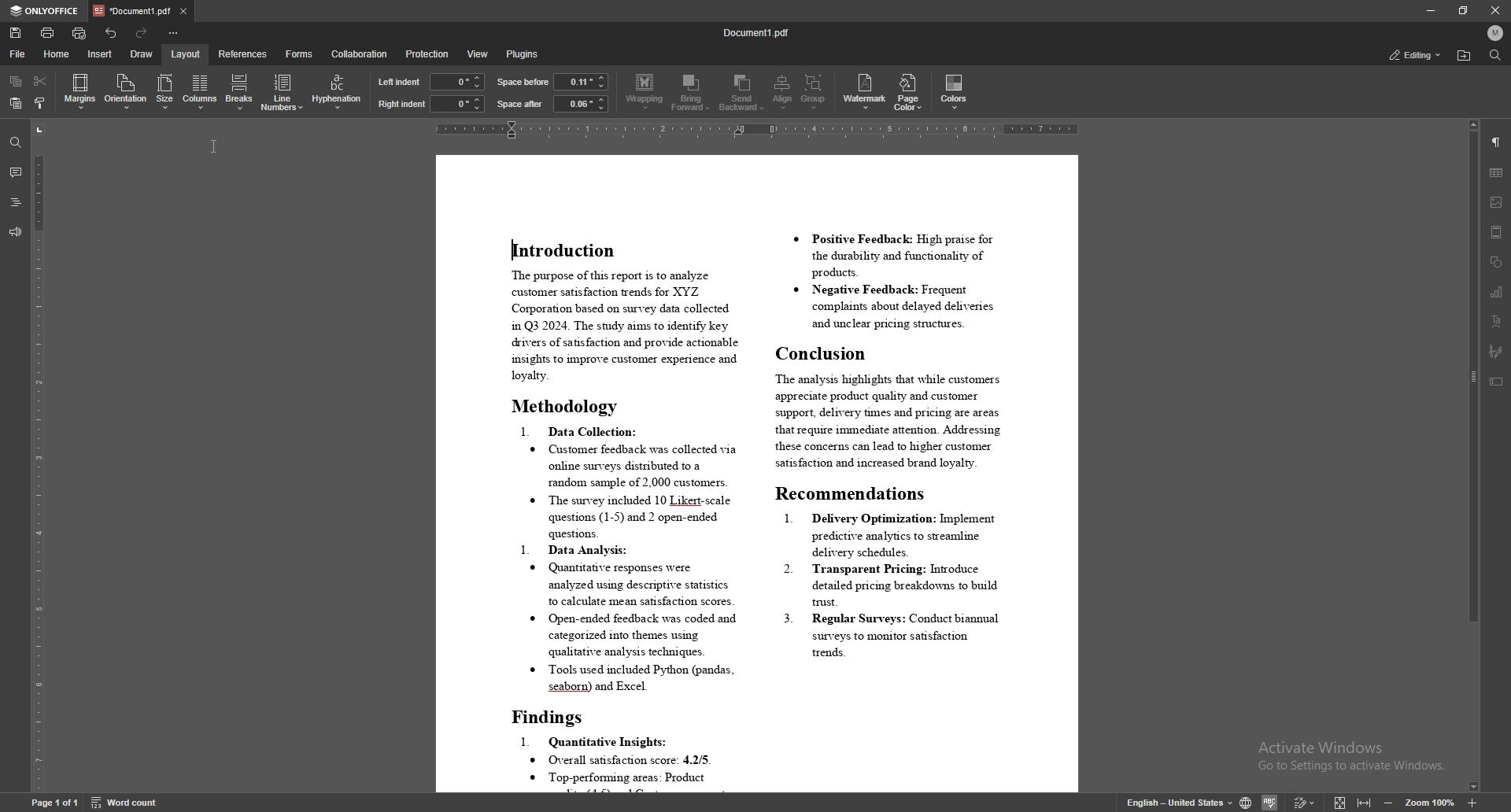 This screenshot has height=812, width=1511. Describe the element at coordinates (1470, 456) in the screenshot. I see `scroll bar` at that location.